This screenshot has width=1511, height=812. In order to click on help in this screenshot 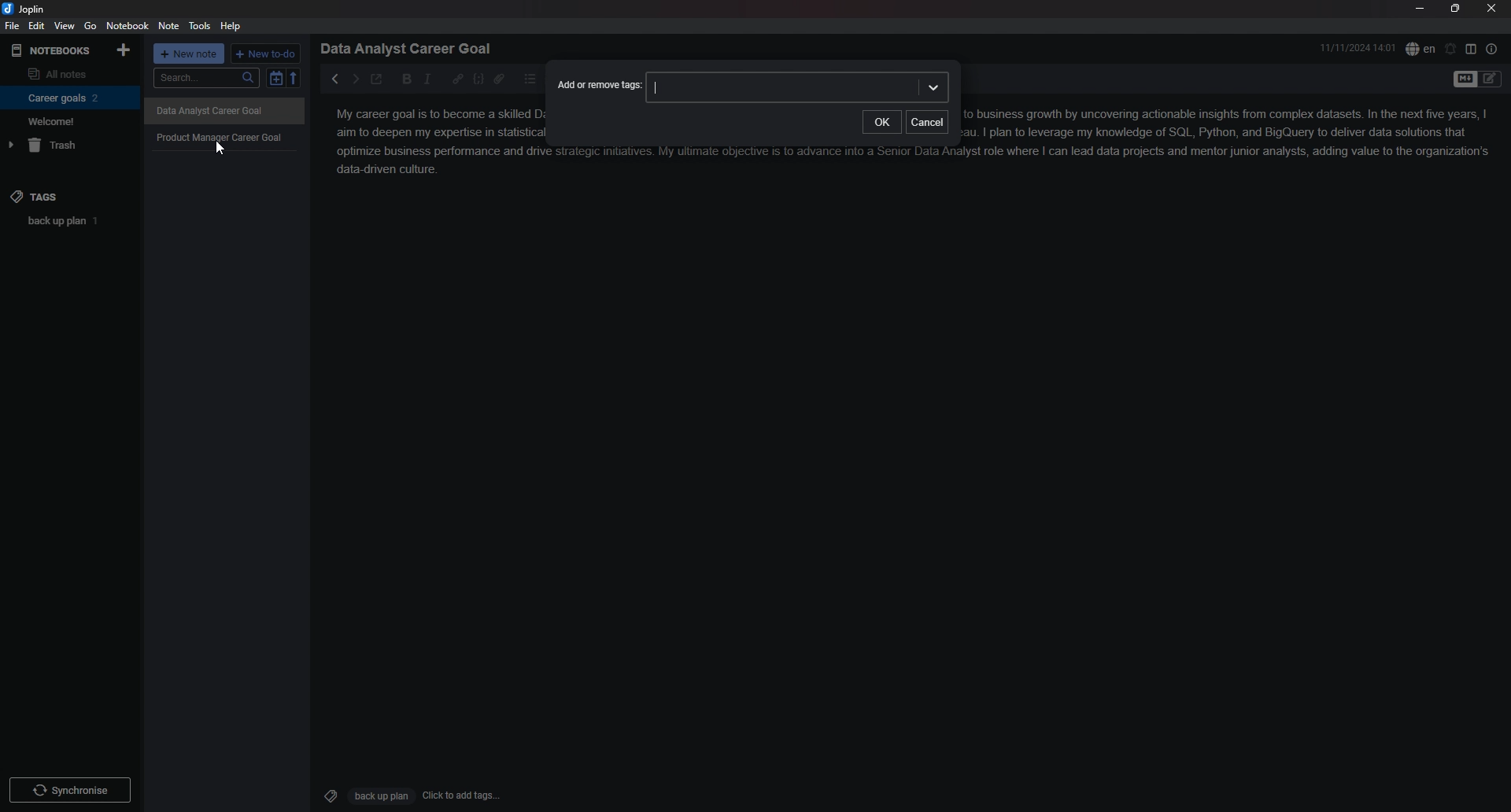, I will do `click(231, 27)`.